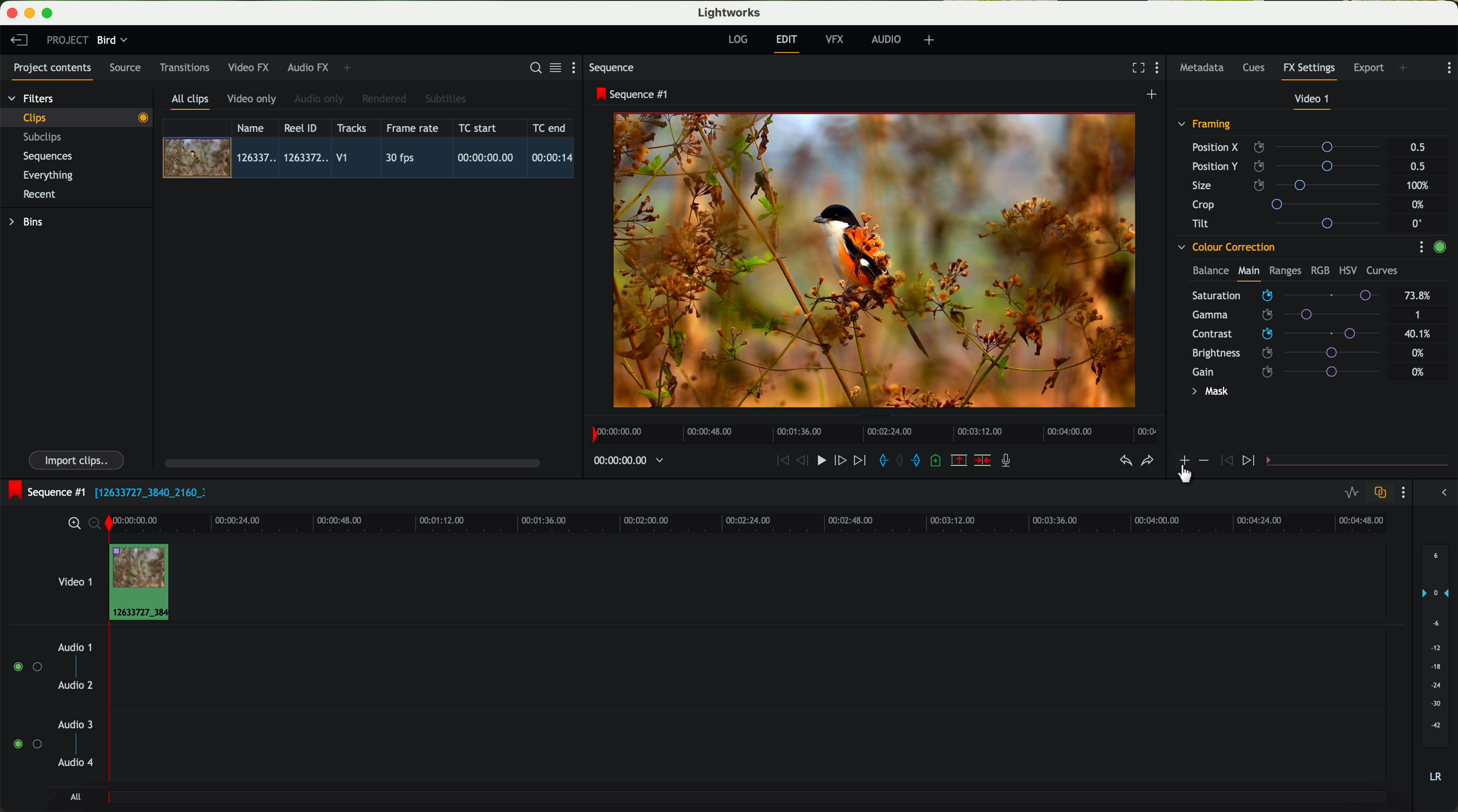  Describe the element at coordinates (1285, 270) in the screenshot. I see `ranges` at that location.